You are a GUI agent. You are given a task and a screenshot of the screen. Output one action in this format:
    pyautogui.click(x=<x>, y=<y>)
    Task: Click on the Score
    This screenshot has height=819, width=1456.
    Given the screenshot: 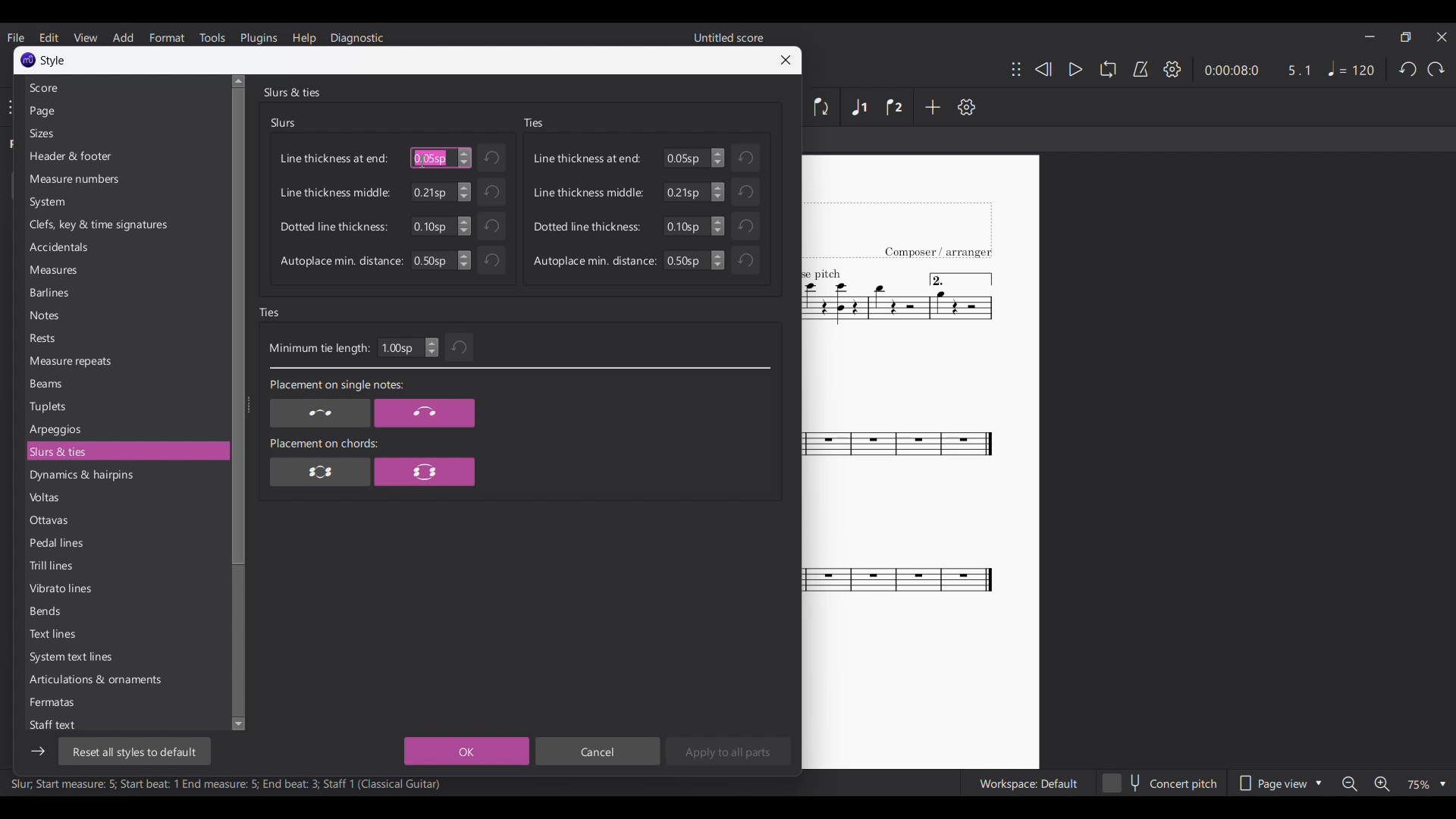 What is the action you would take?
    pyautogui.click(x=124, y=88)
    